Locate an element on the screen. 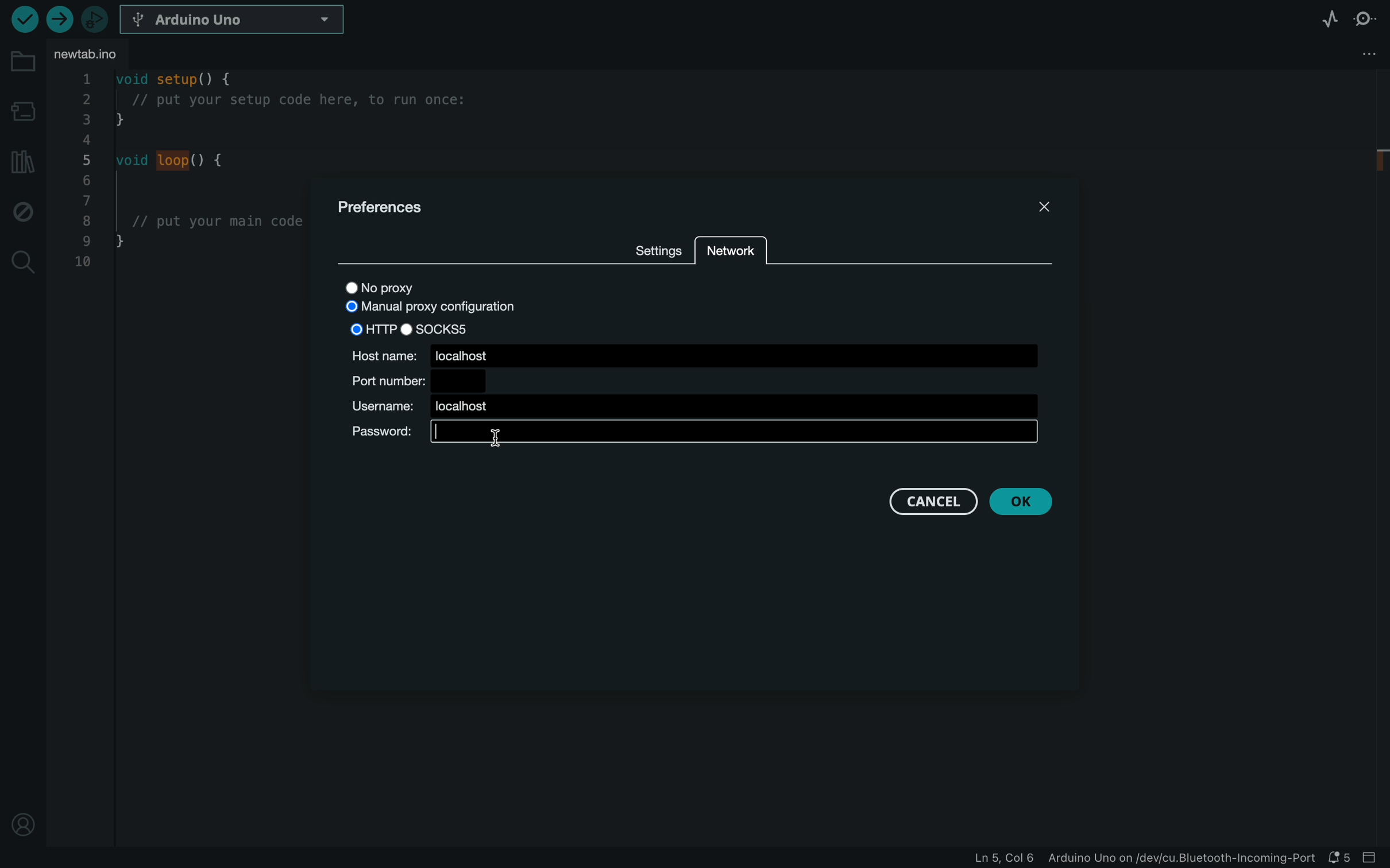 The height and width of the screenshot is (868, 1390). serial plotter is located at coordinates (1328, 18).